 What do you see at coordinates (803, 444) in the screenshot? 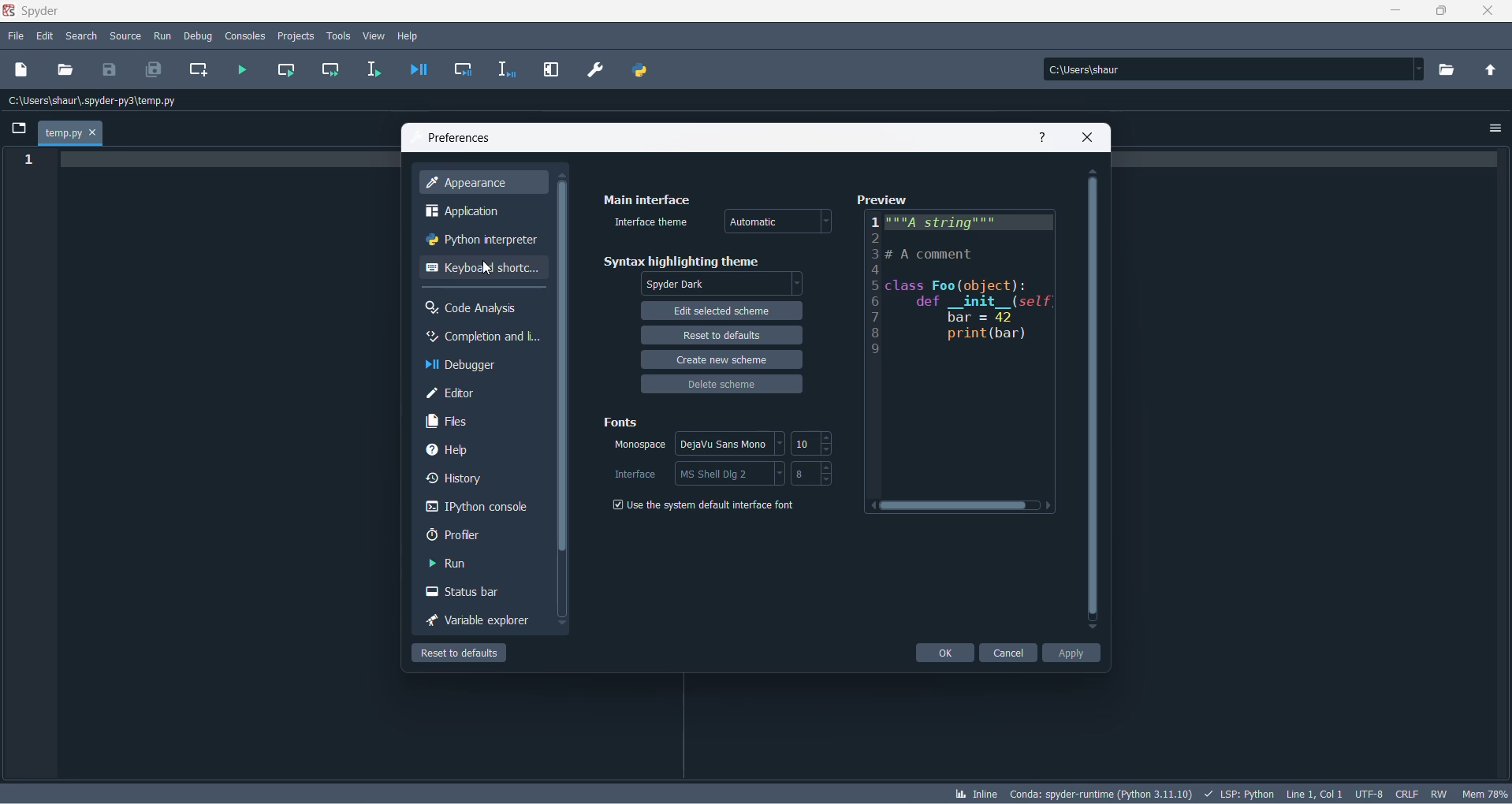
I see `font size` at bounding box center [803, 444].